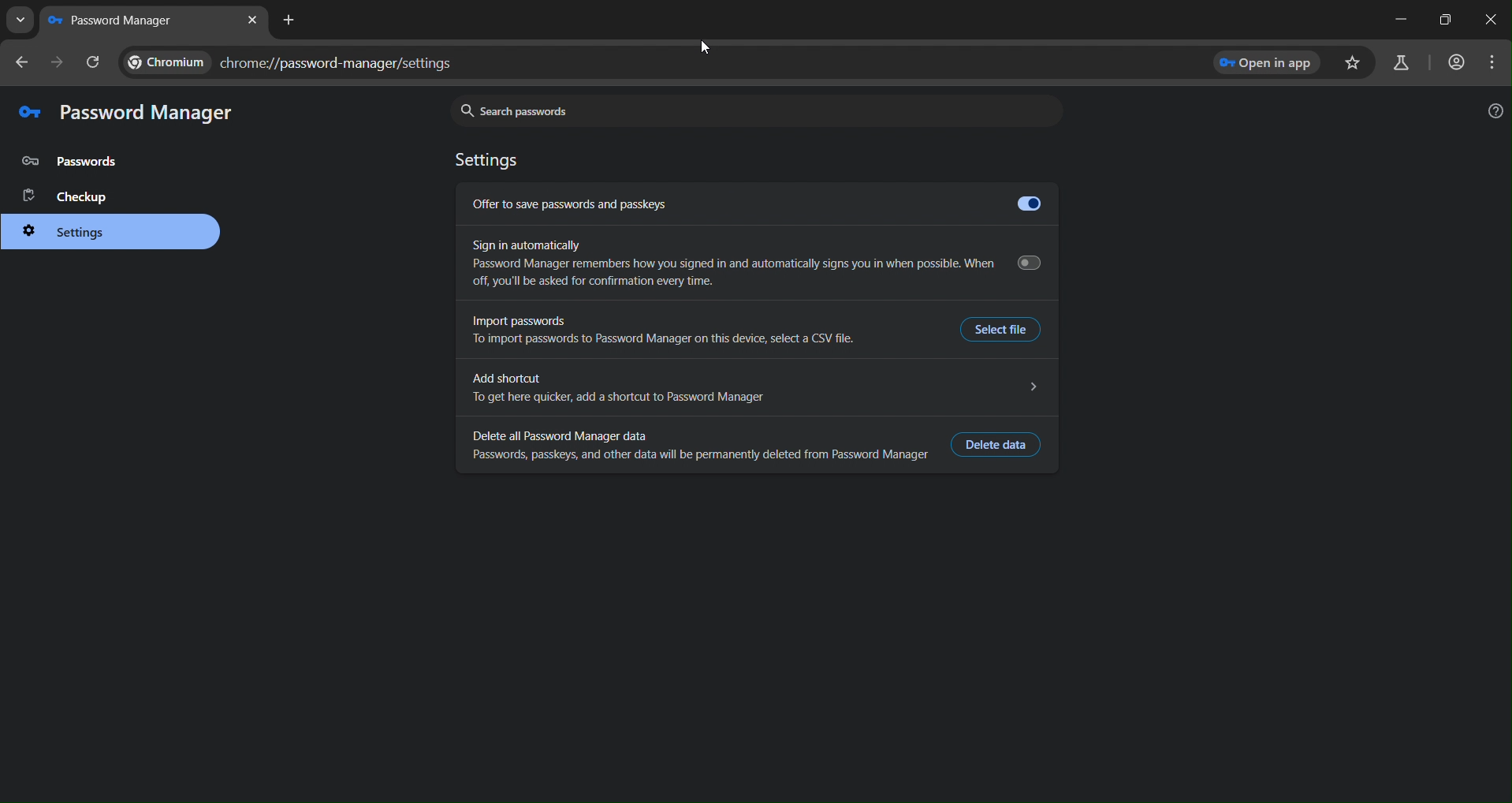 This screenshot has width=1512, height=803. What do you see at coordinates (149, 114) in the screenshot?
I see `password manager` at bounding box center [149, 114].